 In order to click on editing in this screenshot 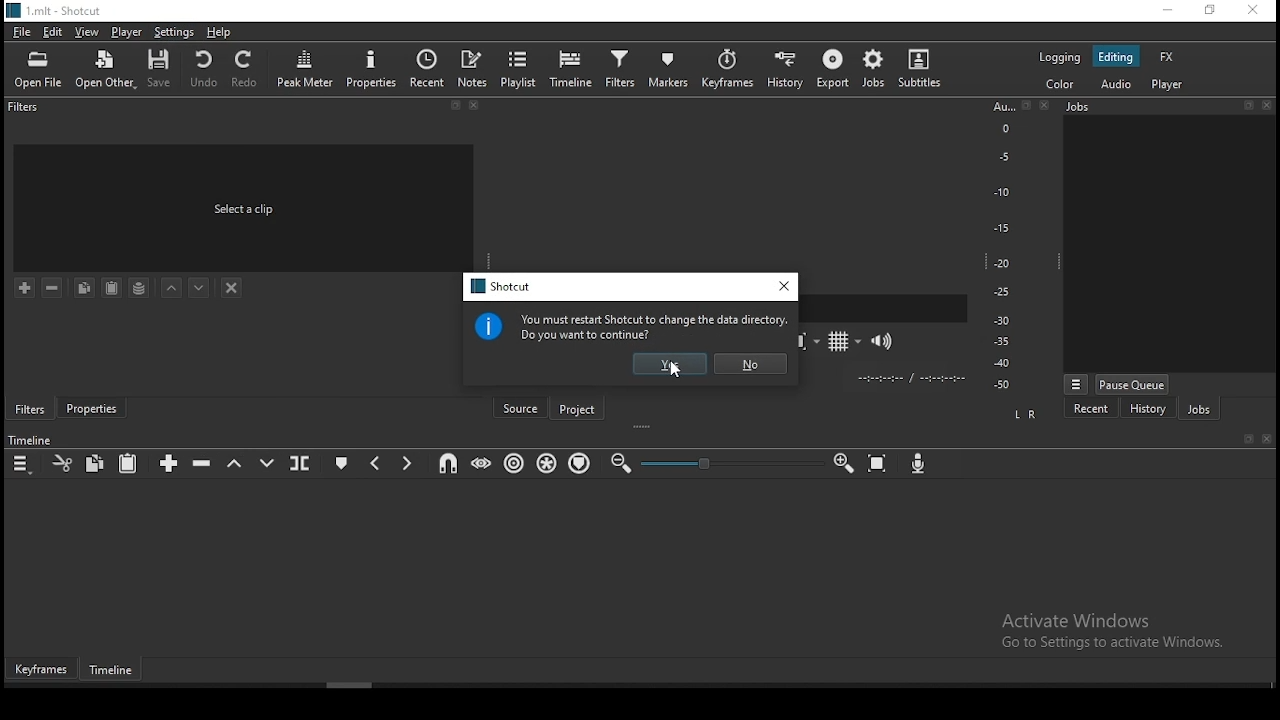, I will do `click(1119, 57)`.